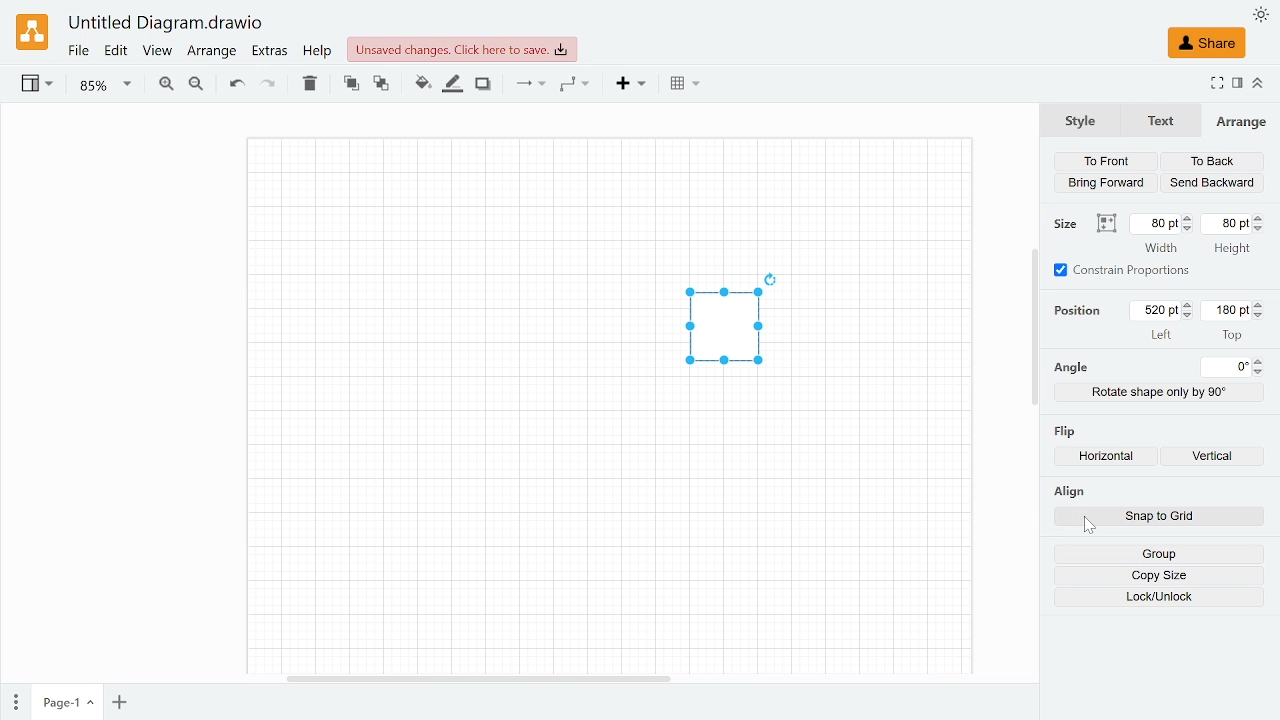 The image size is (1280, 720). What do you see at coordinates (1070, 368) in the screenshot?
I see `angel` at bounding box center [1070, 368].